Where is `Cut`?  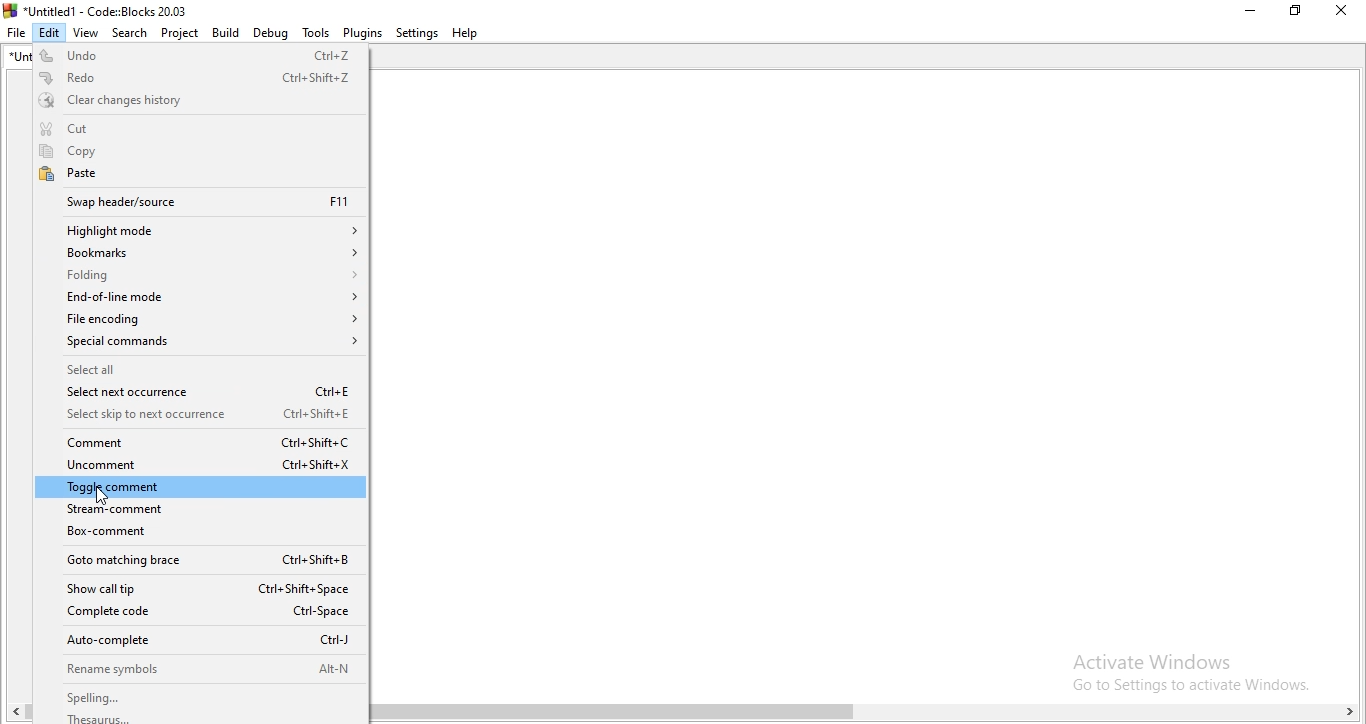 Cut is located at coordinates (202, 129).